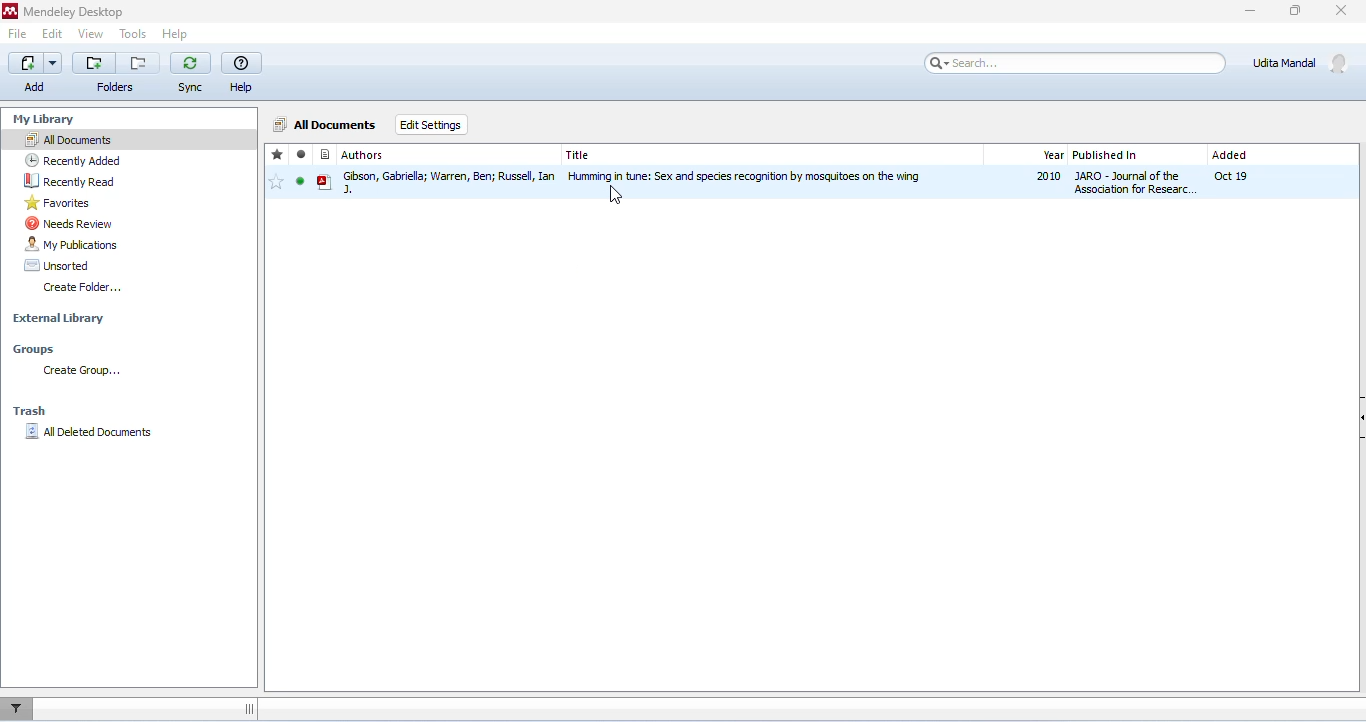  I want to click on edit settings, so click(430, 125).